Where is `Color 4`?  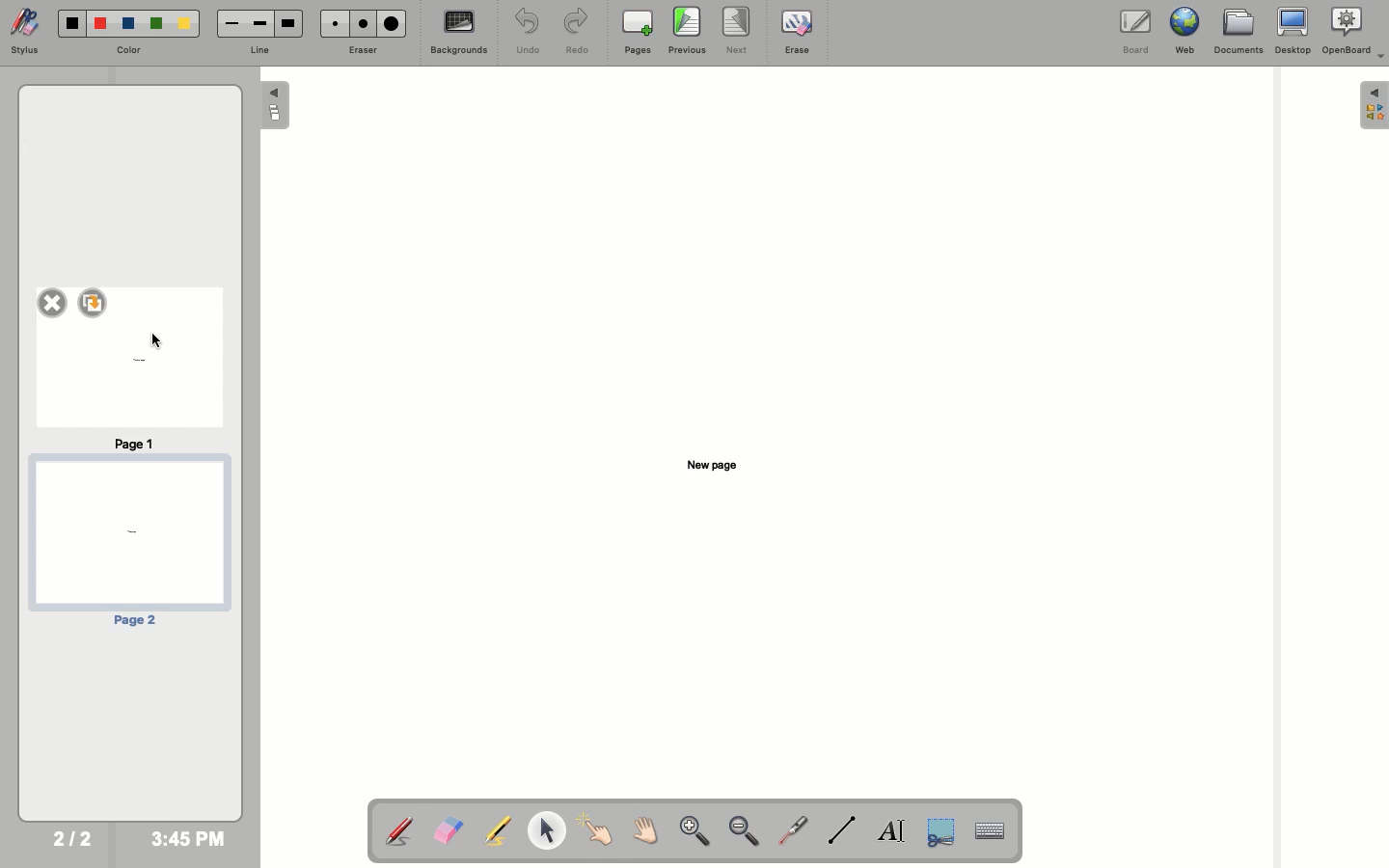 Color 4 is located at coordinates (156, 23).